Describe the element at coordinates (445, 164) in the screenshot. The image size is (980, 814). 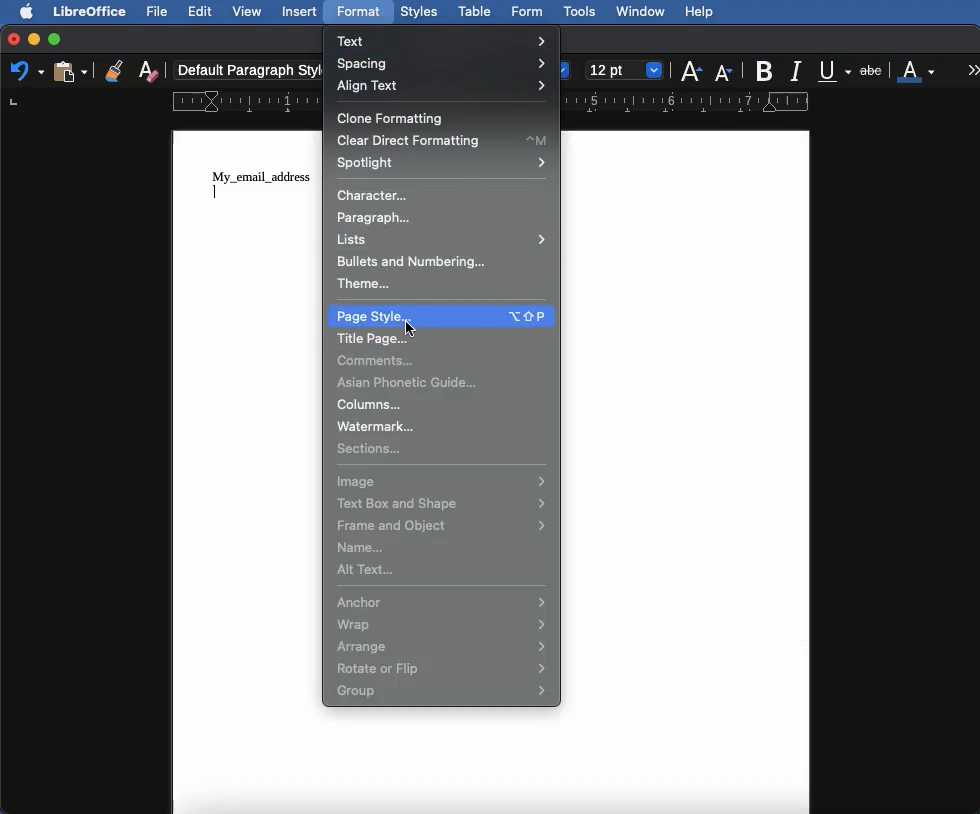
I see `Spotlight` at that location.